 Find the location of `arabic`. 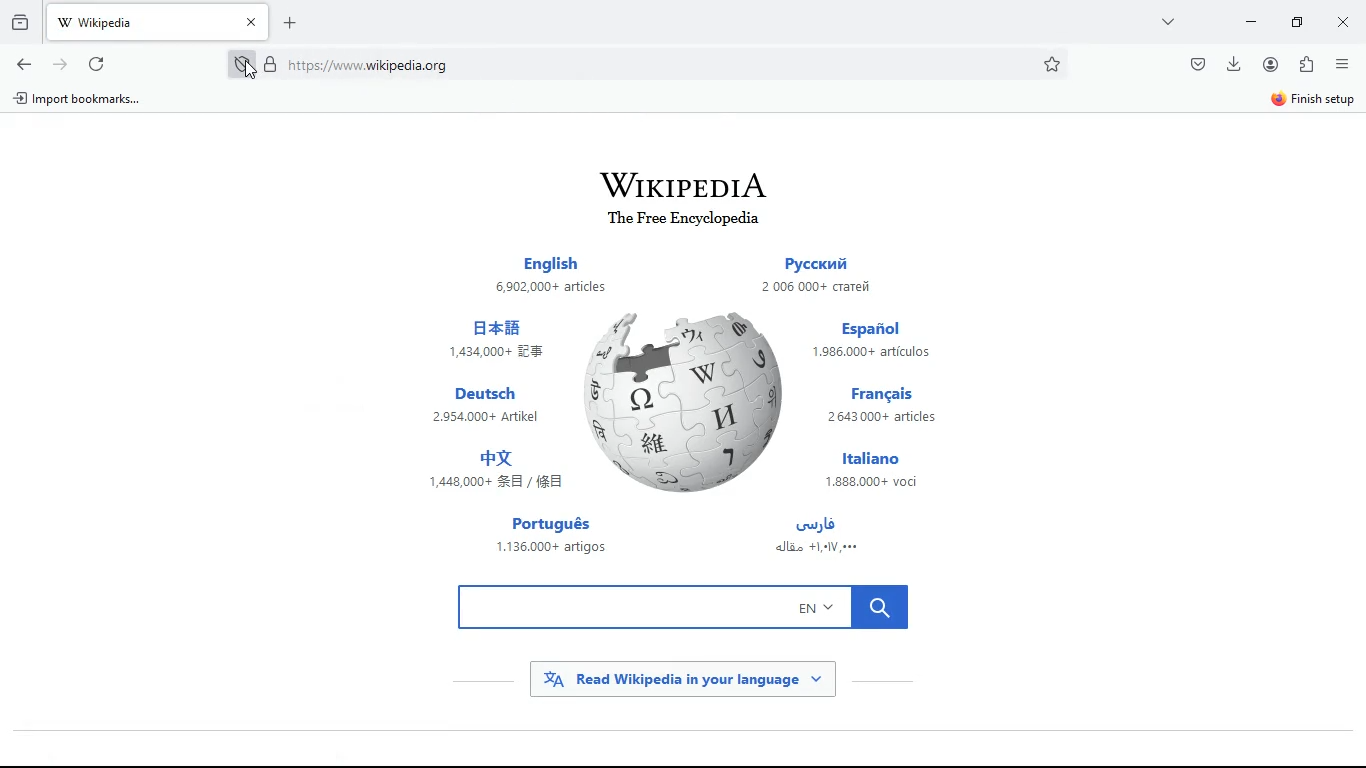

arabic is located at coordinates (828, 541).